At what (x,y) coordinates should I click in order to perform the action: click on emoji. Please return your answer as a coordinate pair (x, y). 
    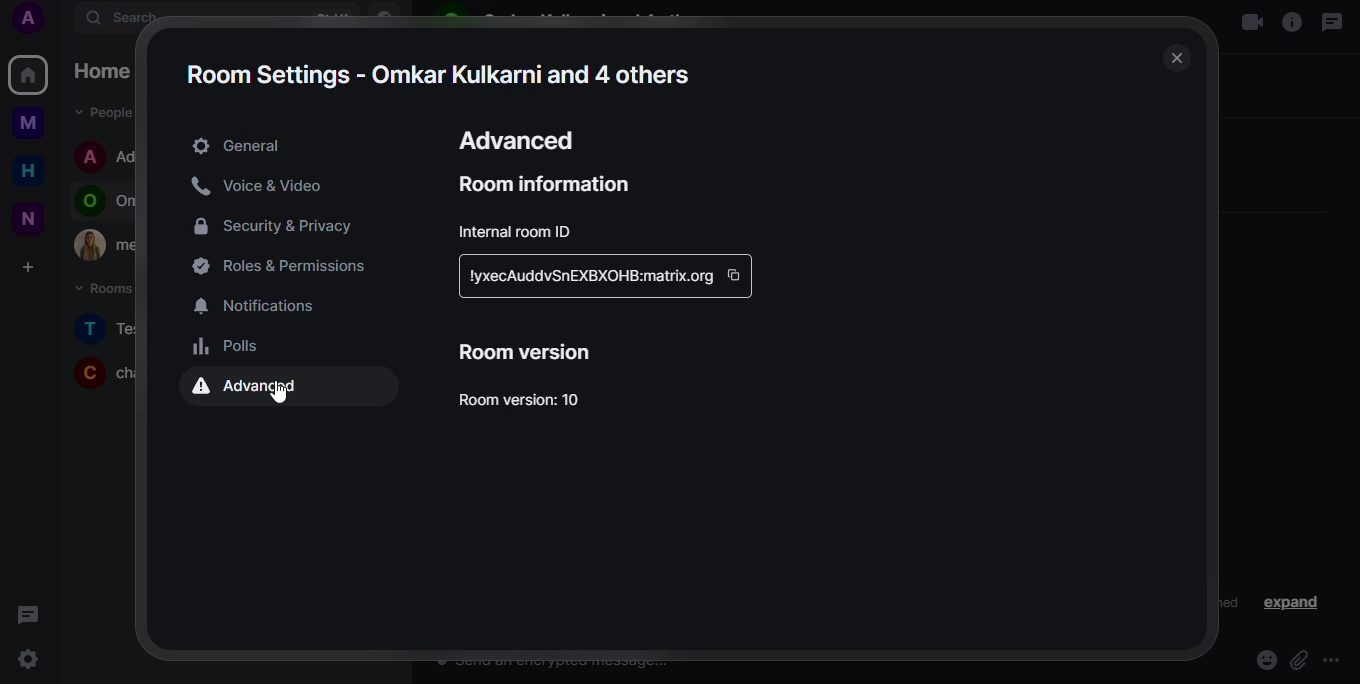
    Looking at the image, I should click on (1266, 658).